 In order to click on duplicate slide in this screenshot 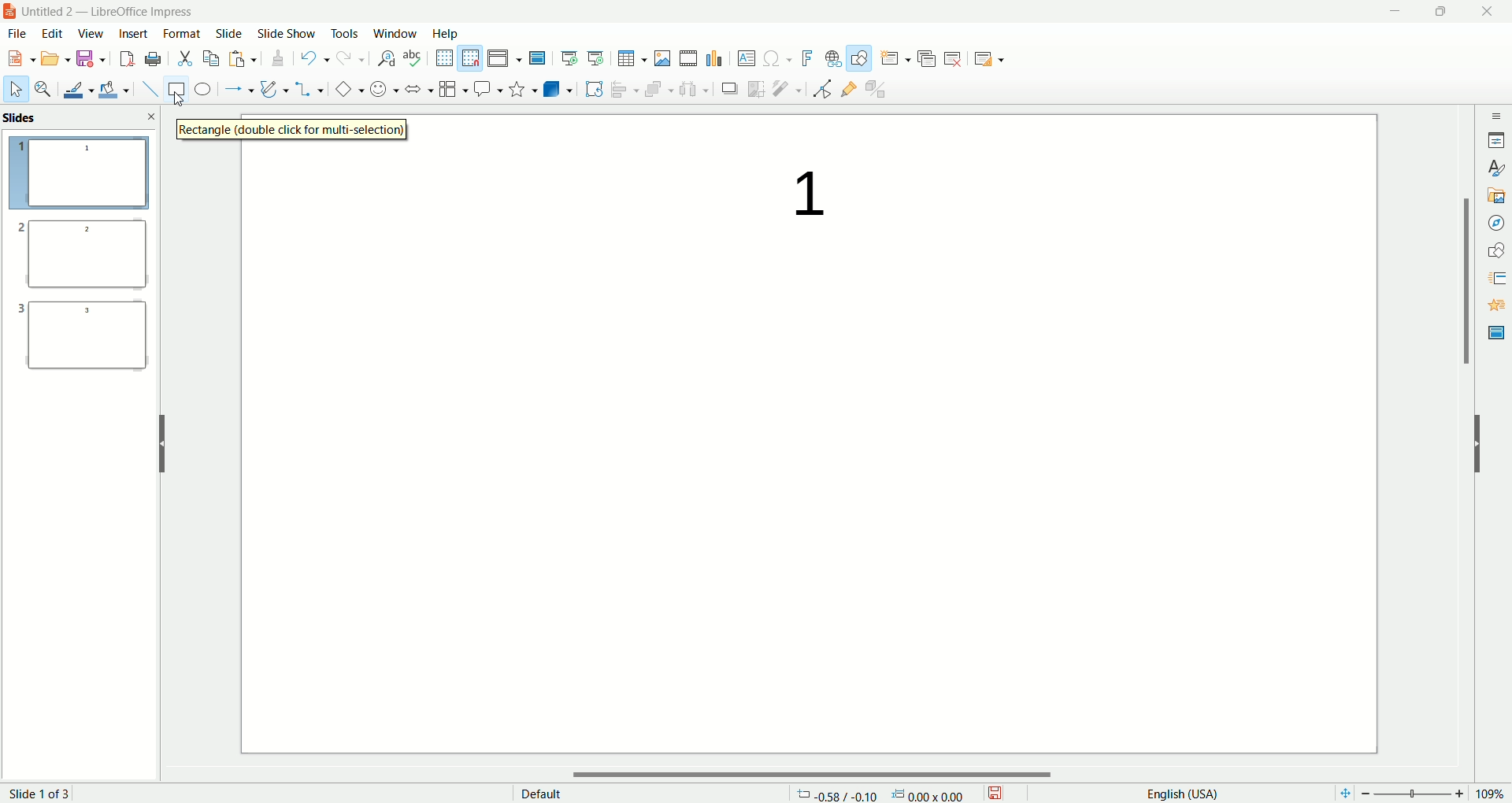, I will do `click(928, 56)`.